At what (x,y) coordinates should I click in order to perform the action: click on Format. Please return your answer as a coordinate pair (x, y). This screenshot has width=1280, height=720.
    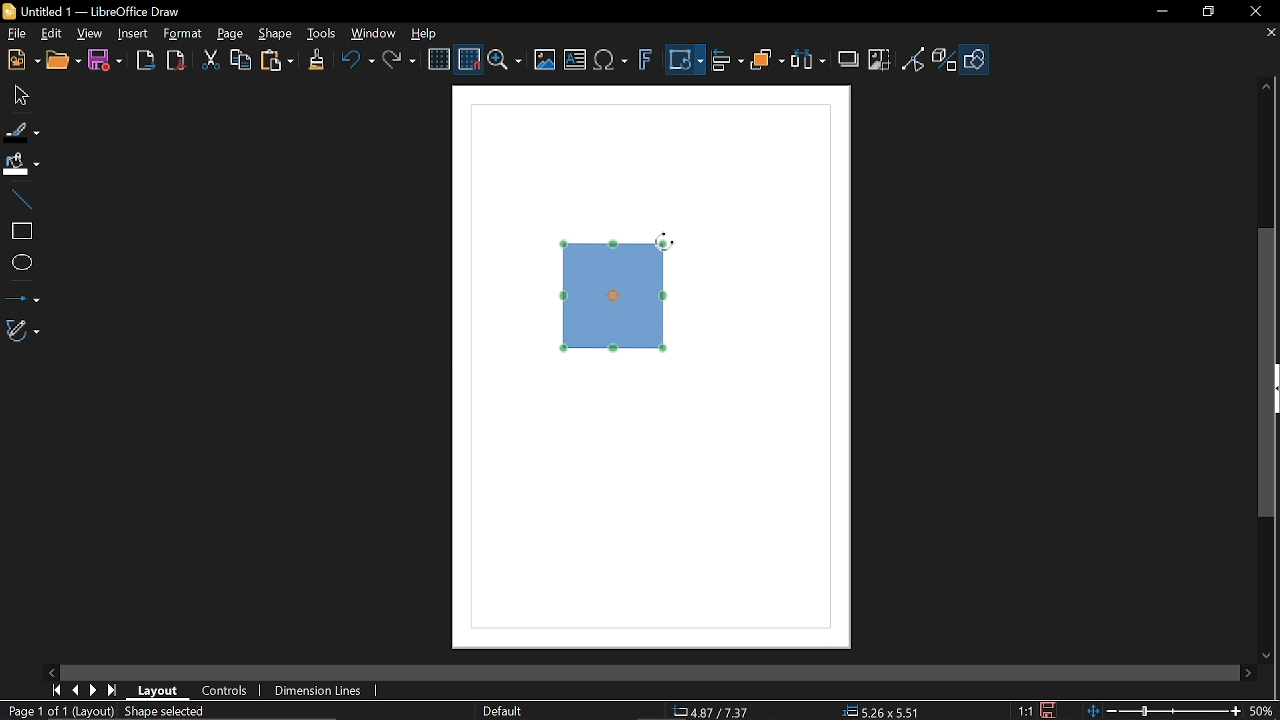
    Looking at the image, I should click on (182, 34).